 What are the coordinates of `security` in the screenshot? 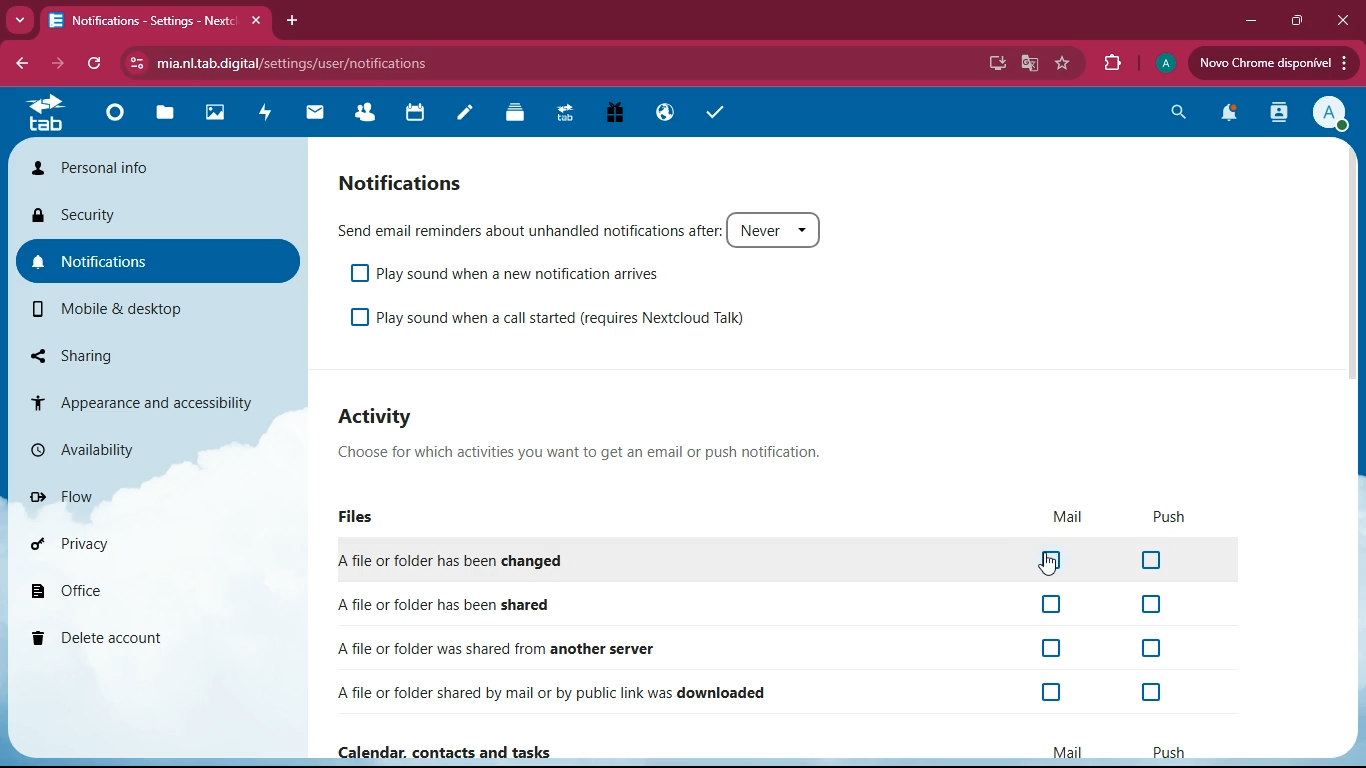 It's located at (138, 216).